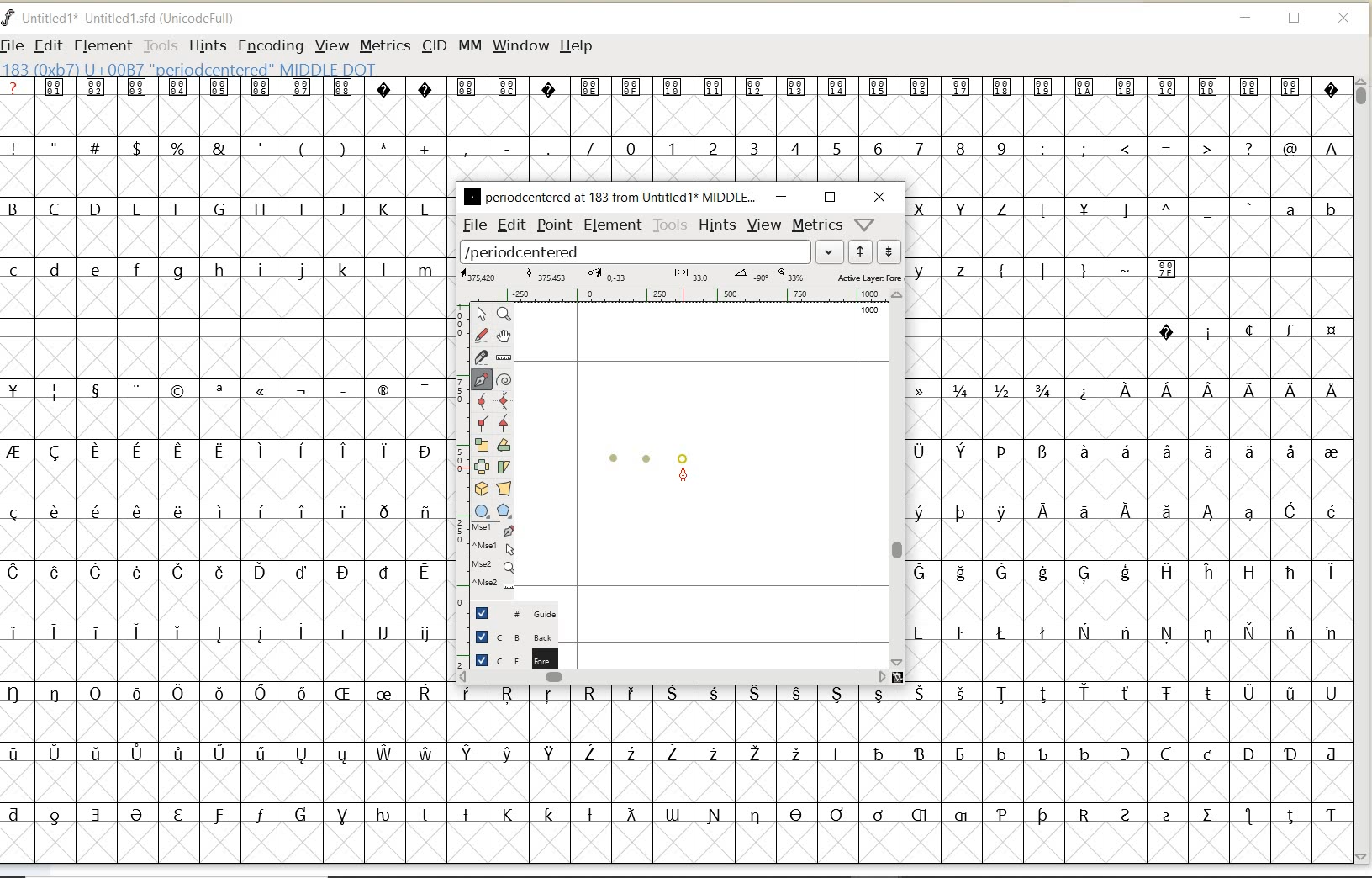 The width and height of the screenshot is (1372, 878). What do you see at coordinates (818, 225) in the screenshot?
I see `metrics` at bounding box center [818, 225].